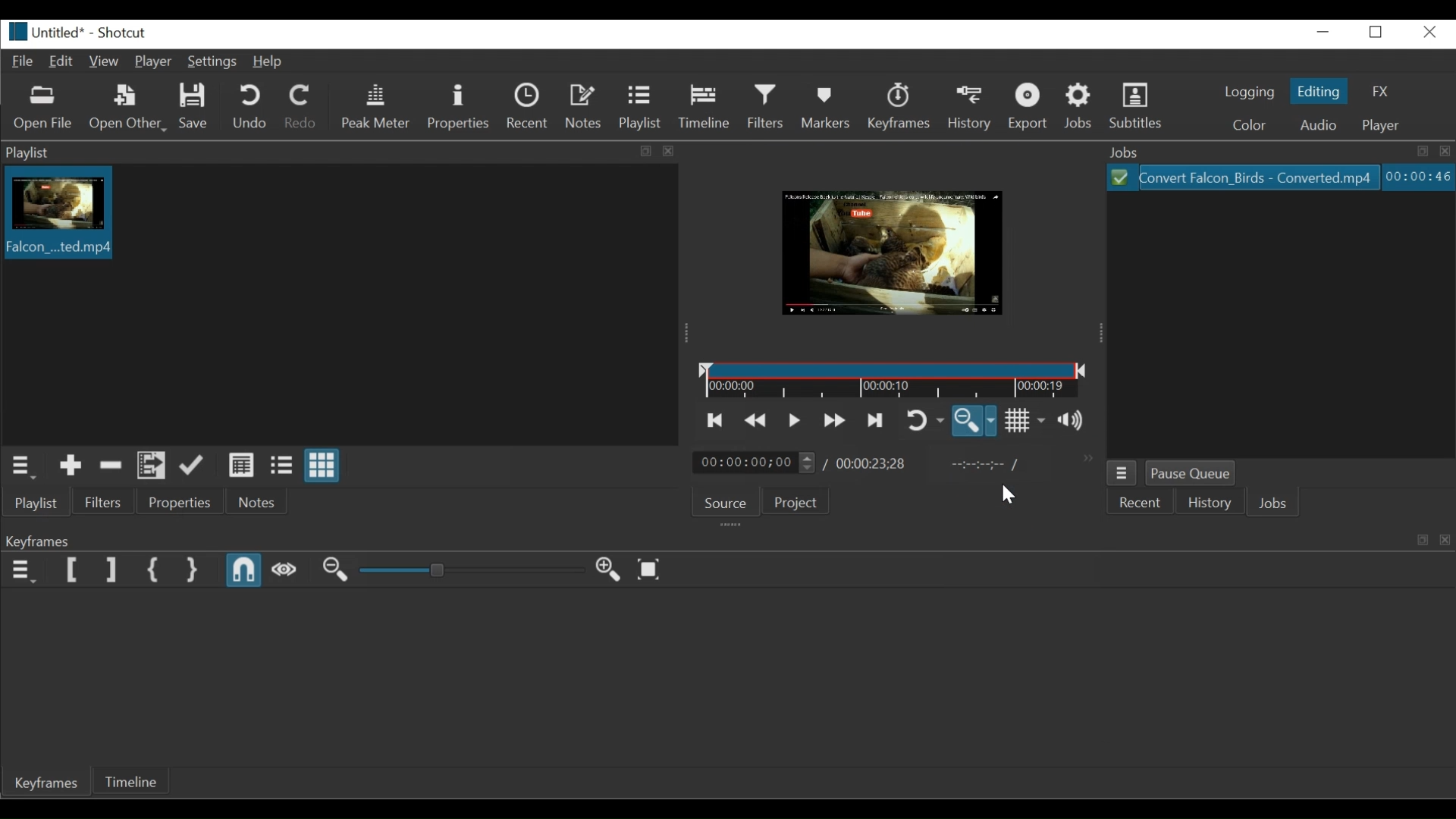 The height and width of the screenshot is (819, 1456). I want to click on Filters, so click(768, 106).